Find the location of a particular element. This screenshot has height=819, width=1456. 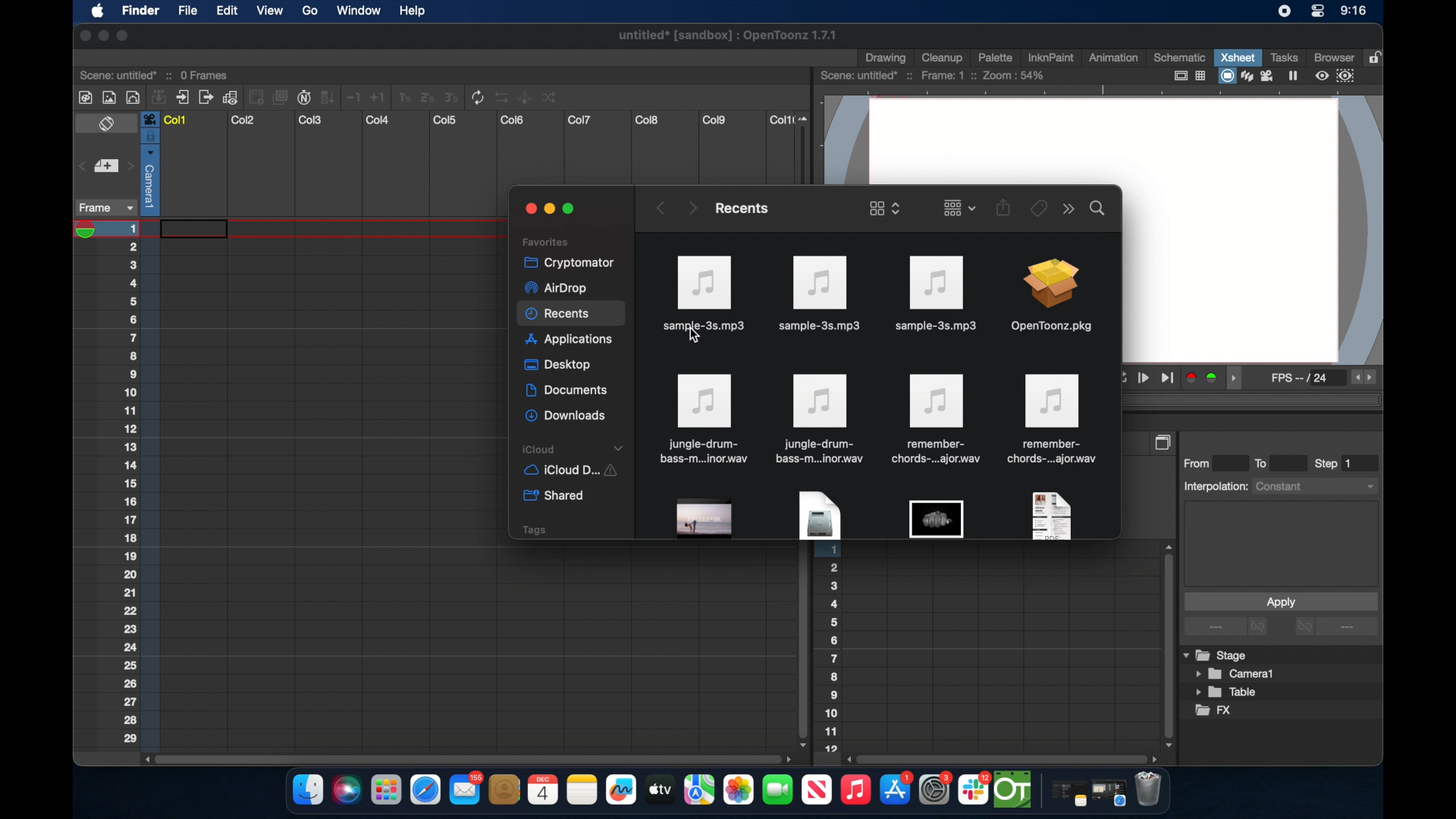

facetime is located at coordinates (778, 788).